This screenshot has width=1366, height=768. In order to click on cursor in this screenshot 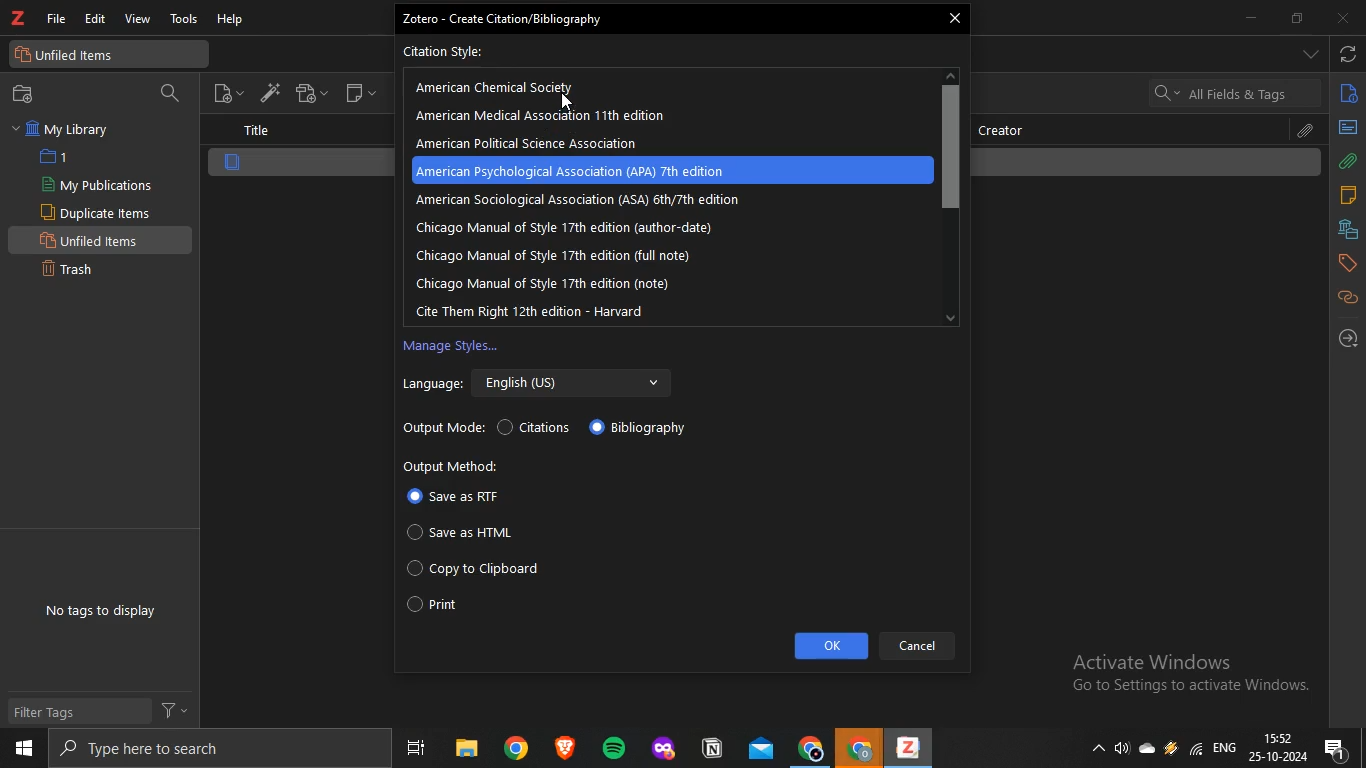, I will do `click(569, 104)`.